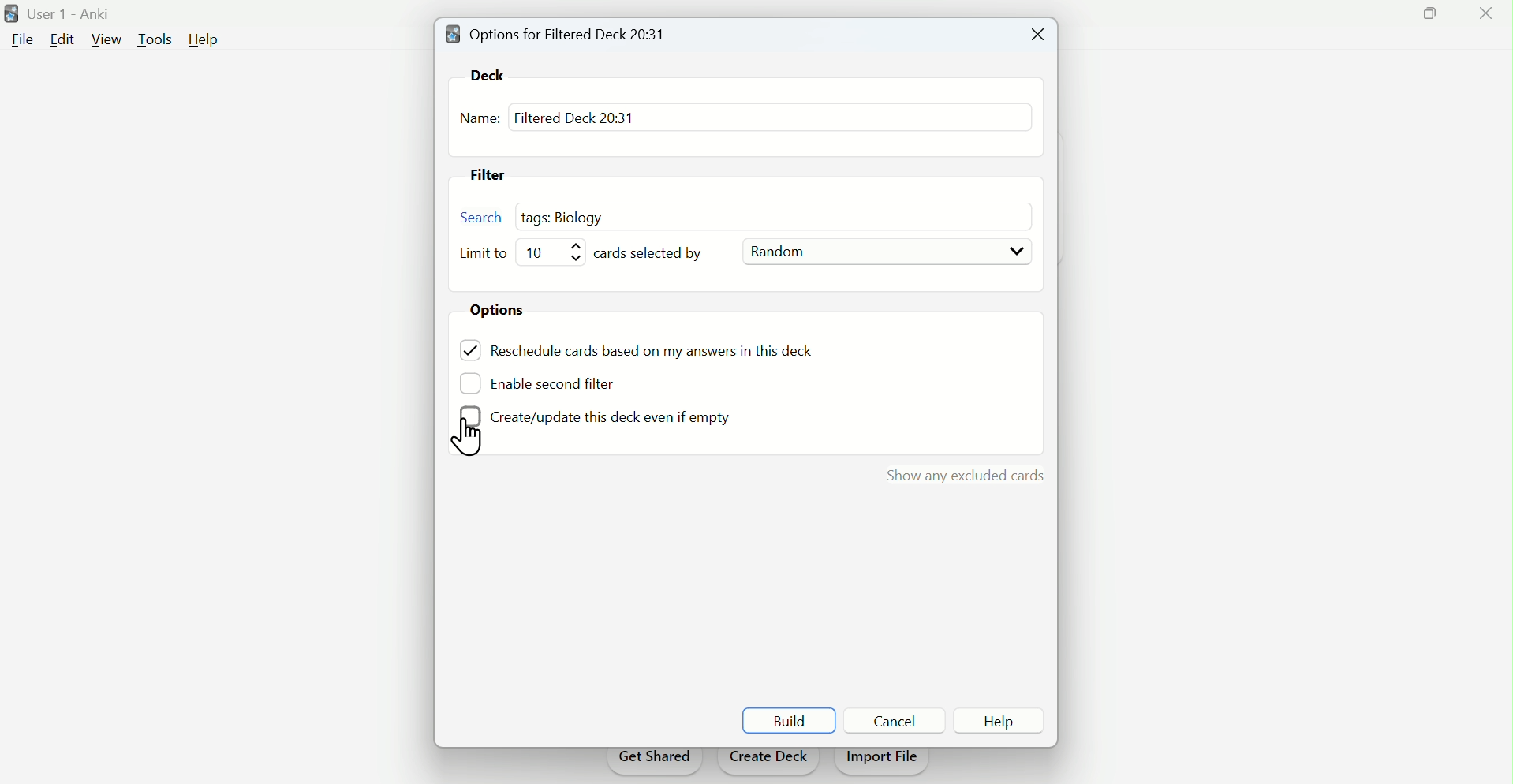 The height and width of the screenshot is (784, 1513). What do you see at coordinates (504, 312) in the screenshot?
I see `Options` at bounding box center [504, 312].